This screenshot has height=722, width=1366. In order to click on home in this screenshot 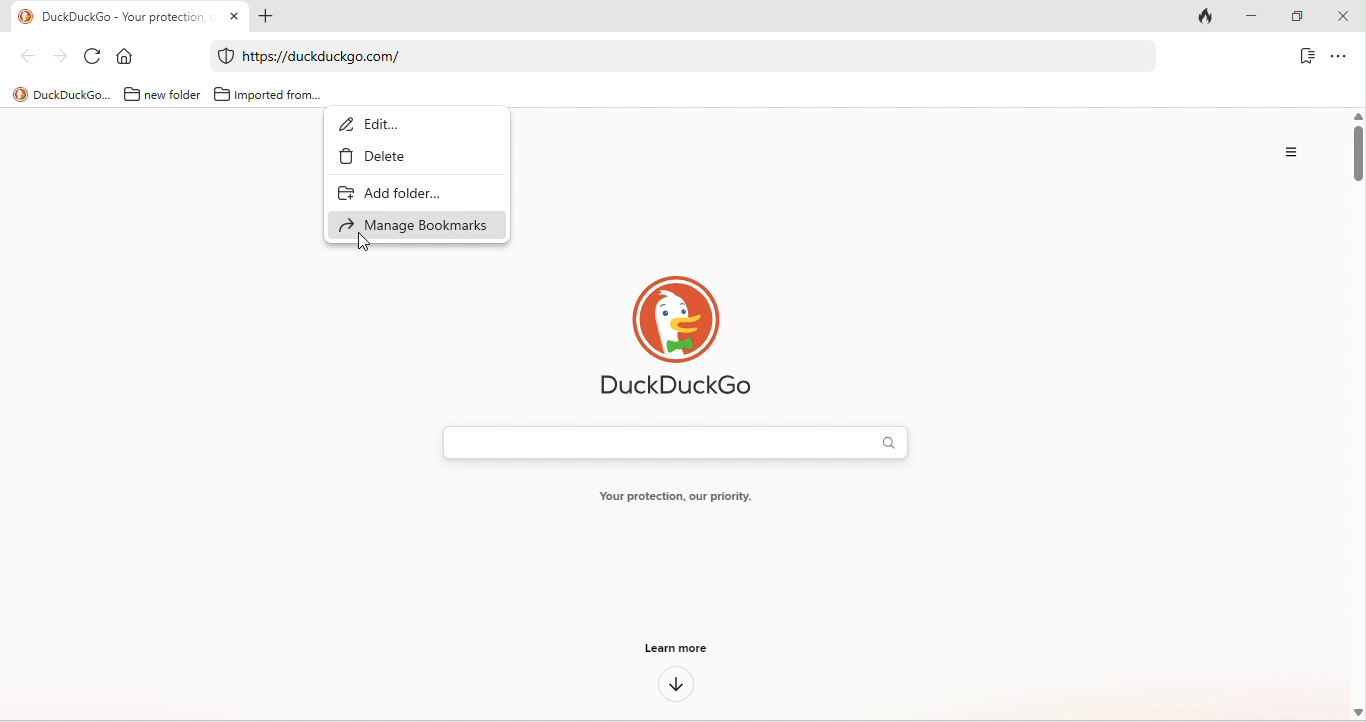, I will do `click(127, 55)`.